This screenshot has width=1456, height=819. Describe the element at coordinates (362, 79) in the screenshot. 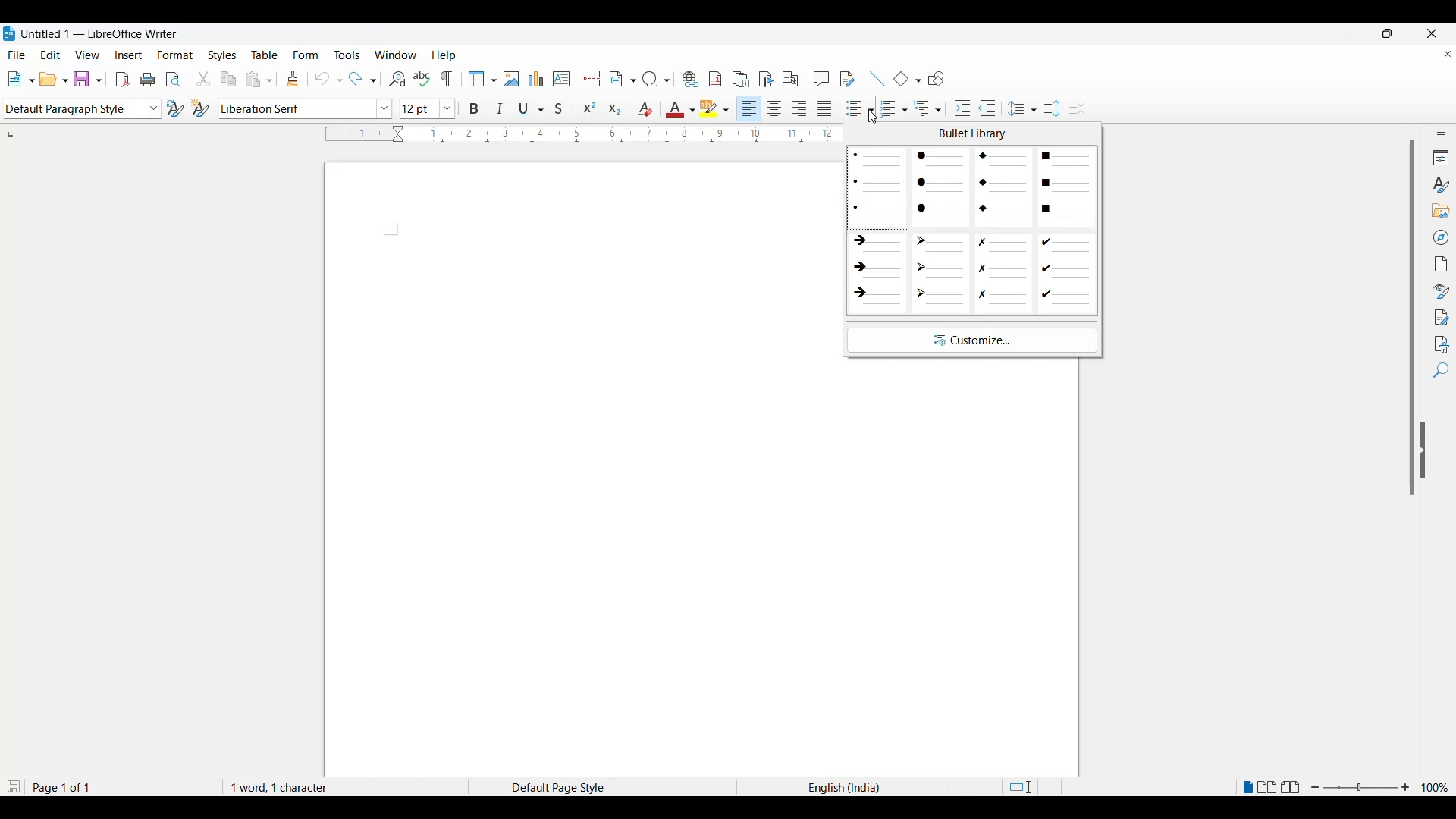

I see `redo` at that location.